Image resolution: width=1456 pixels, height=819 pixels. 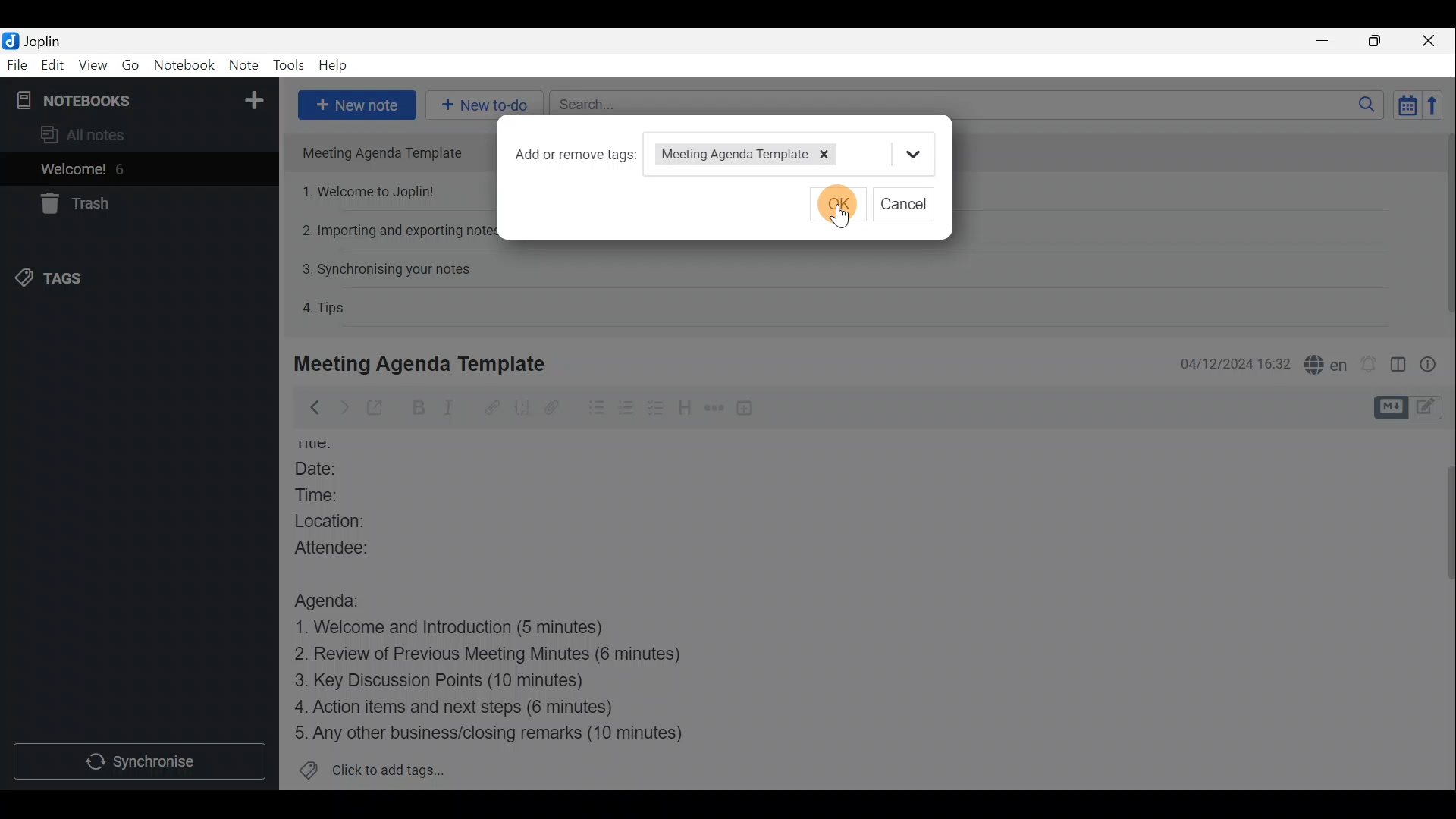 What do you see at coordinates (445, 682) in the screenshot?
I see `Key Discussion Points (10 minutes)` at bounding box center [445, 682].